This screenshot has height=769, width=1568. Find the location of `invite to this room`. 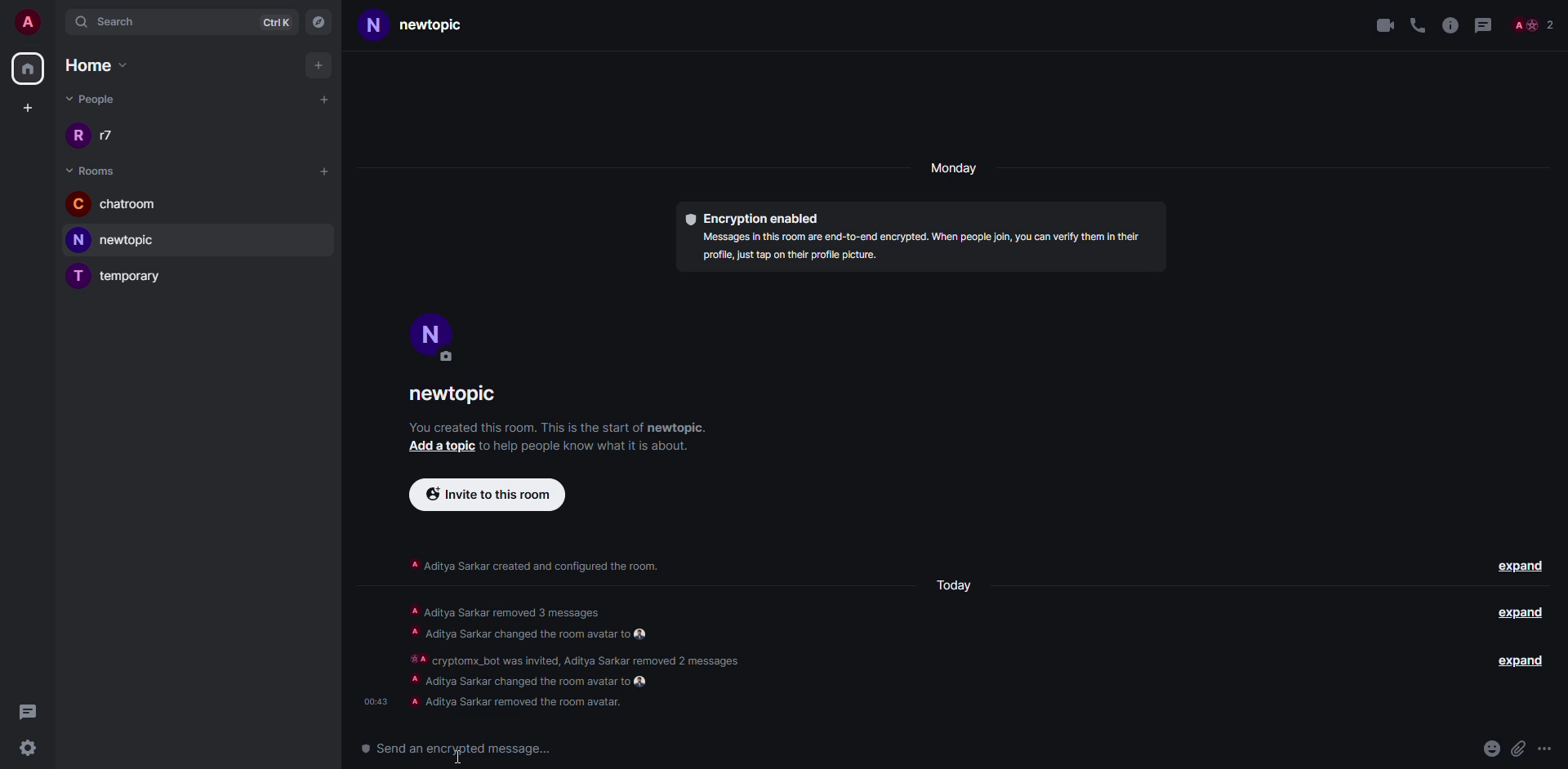

invite to this room is located at coordinates (487, 493).